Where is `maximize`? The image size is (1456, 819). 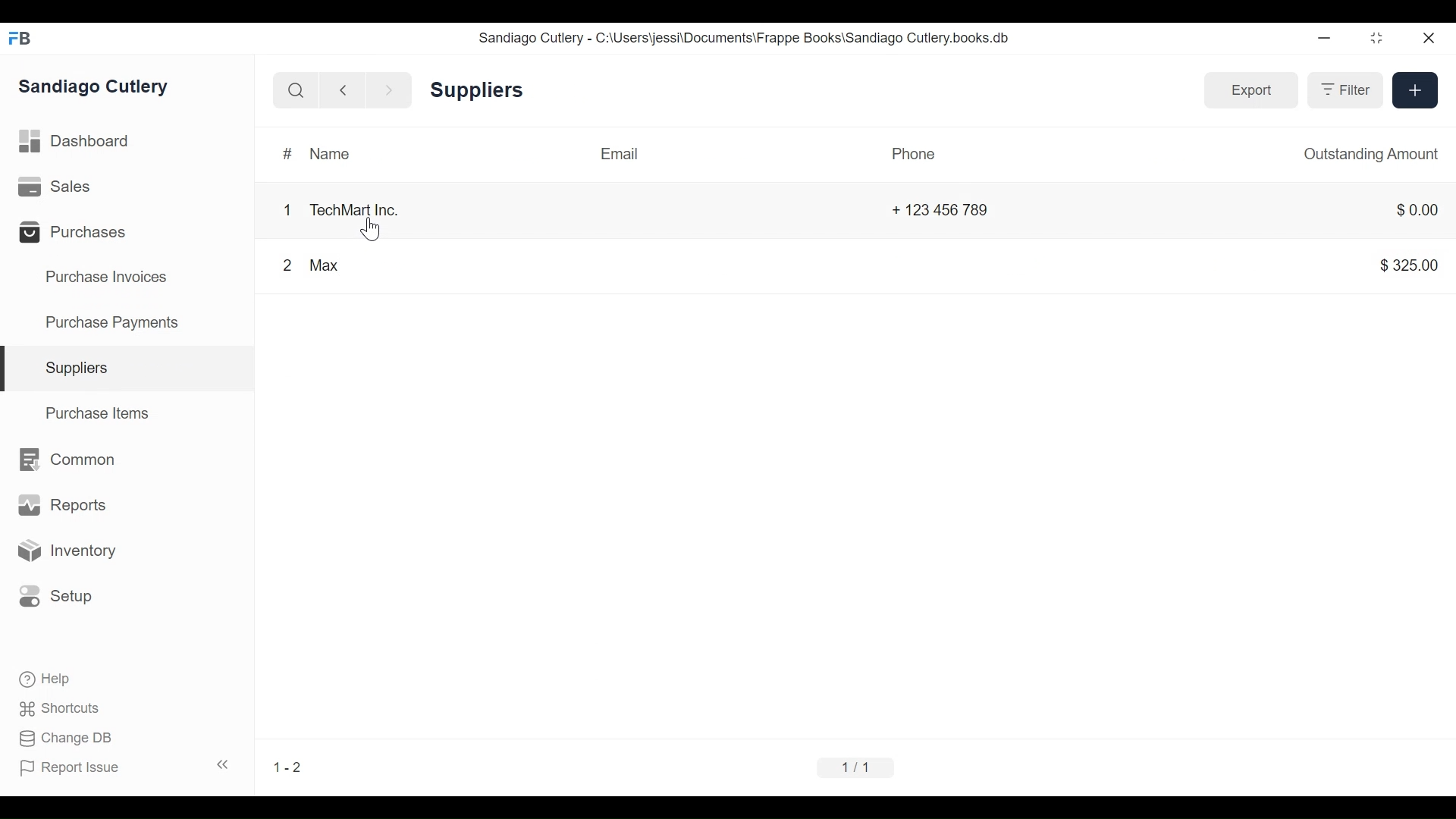
maximize is located at coordinates (1382, 39).